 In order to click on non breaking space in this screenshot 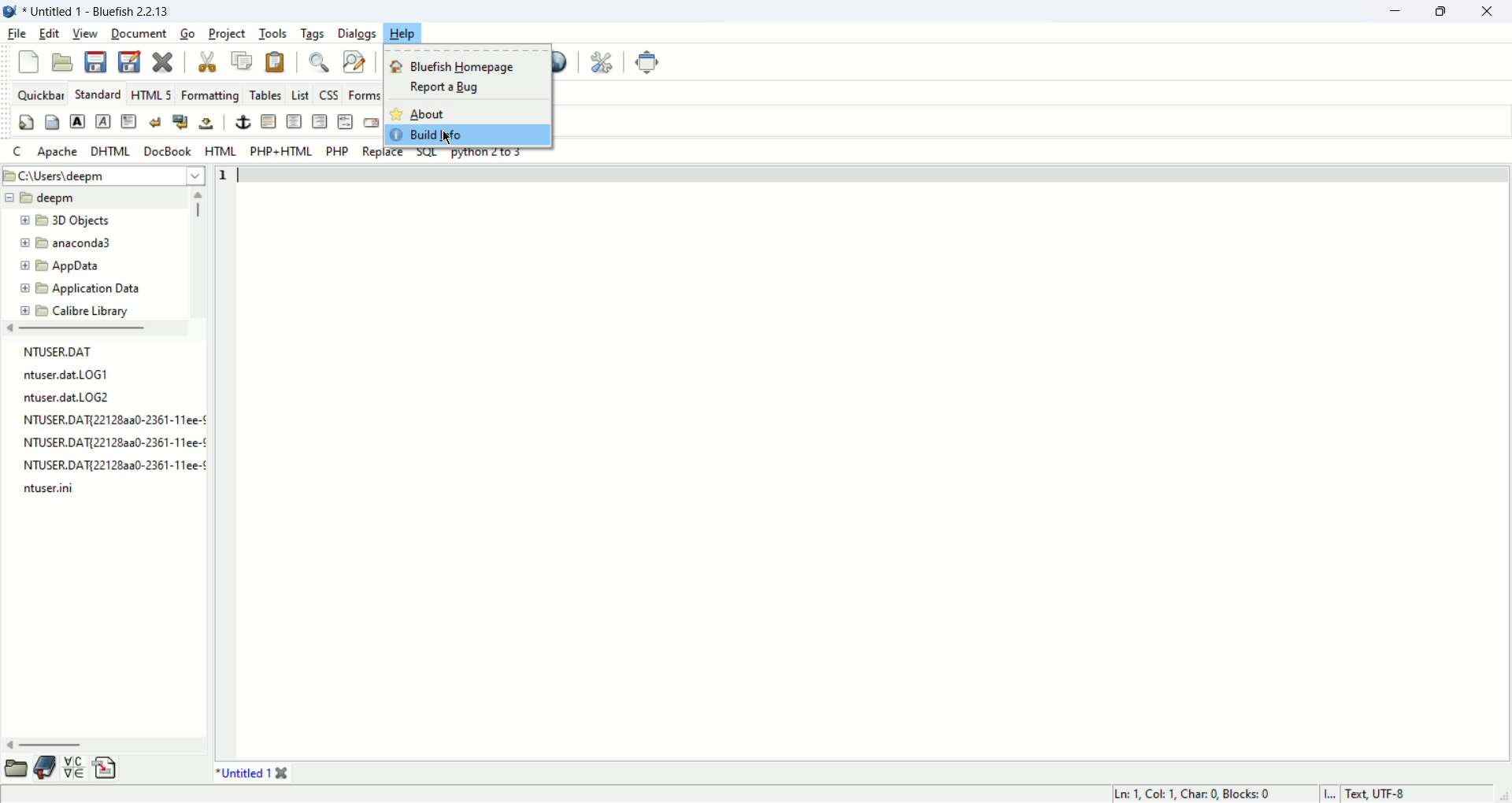, I will do `click(208, 121)`.